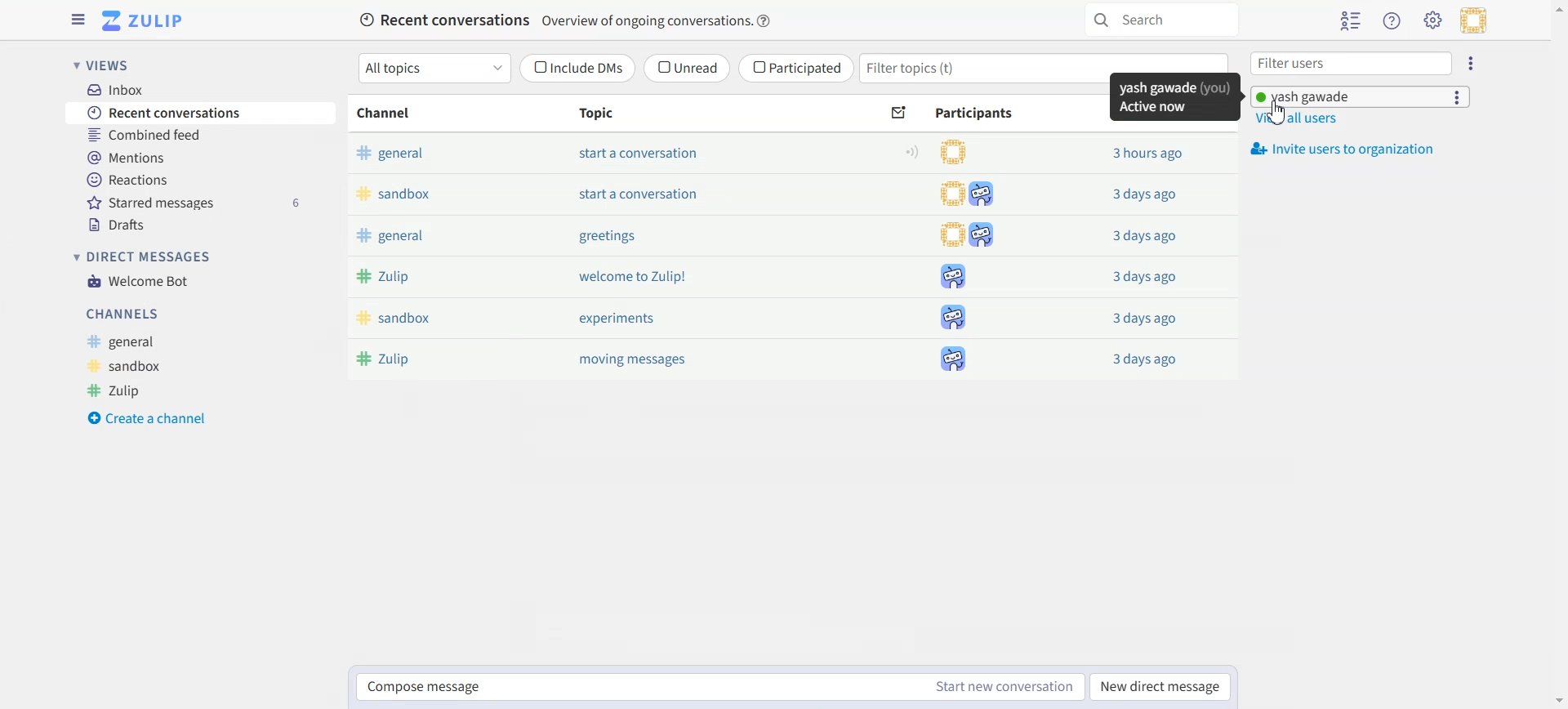 The image size is (1568, 709). Describe the element at coordinates (1349, 64) in the screenshot. I see `Filter users` at that location.